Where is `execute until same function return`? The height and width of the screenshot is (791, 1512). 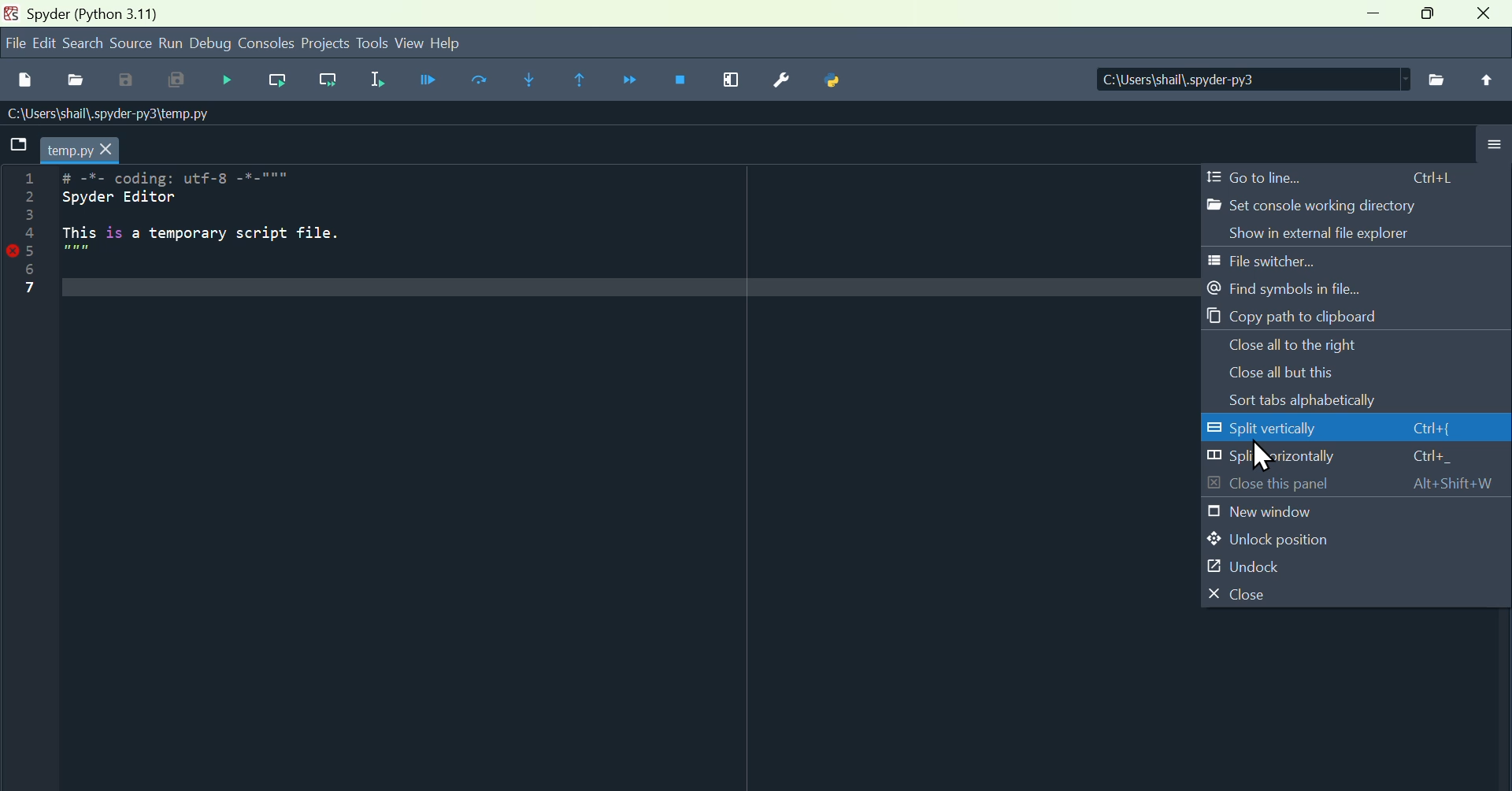 execute until same function return is located at coordinates (587, 81).